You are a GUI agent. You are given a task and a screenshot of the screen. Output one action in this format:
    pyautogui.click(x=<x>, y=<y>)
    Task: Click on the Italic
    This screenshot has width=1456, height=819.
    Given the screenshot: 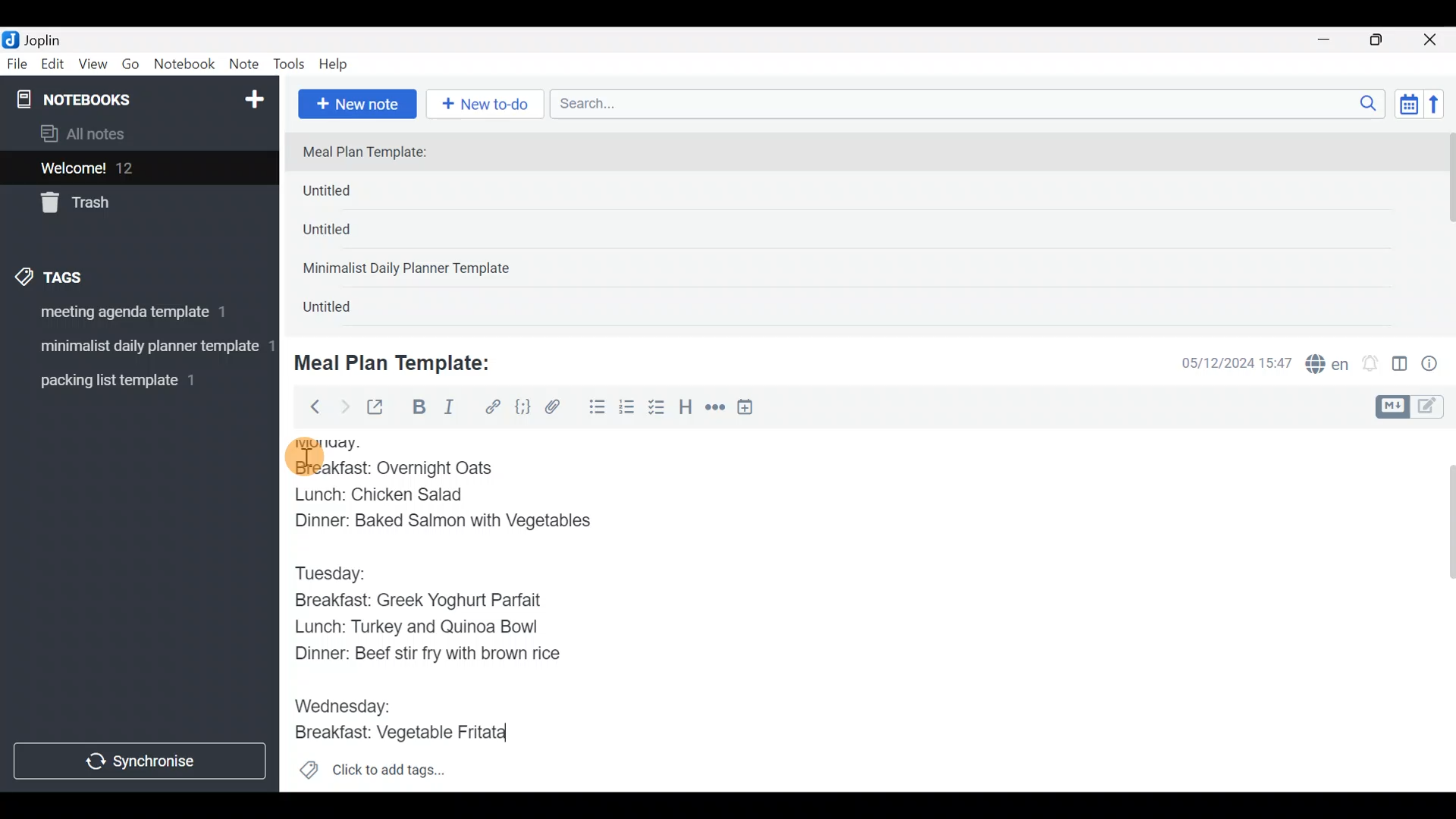 What is the action you would take?
    pyautogui.click(x=447, y=410)
    